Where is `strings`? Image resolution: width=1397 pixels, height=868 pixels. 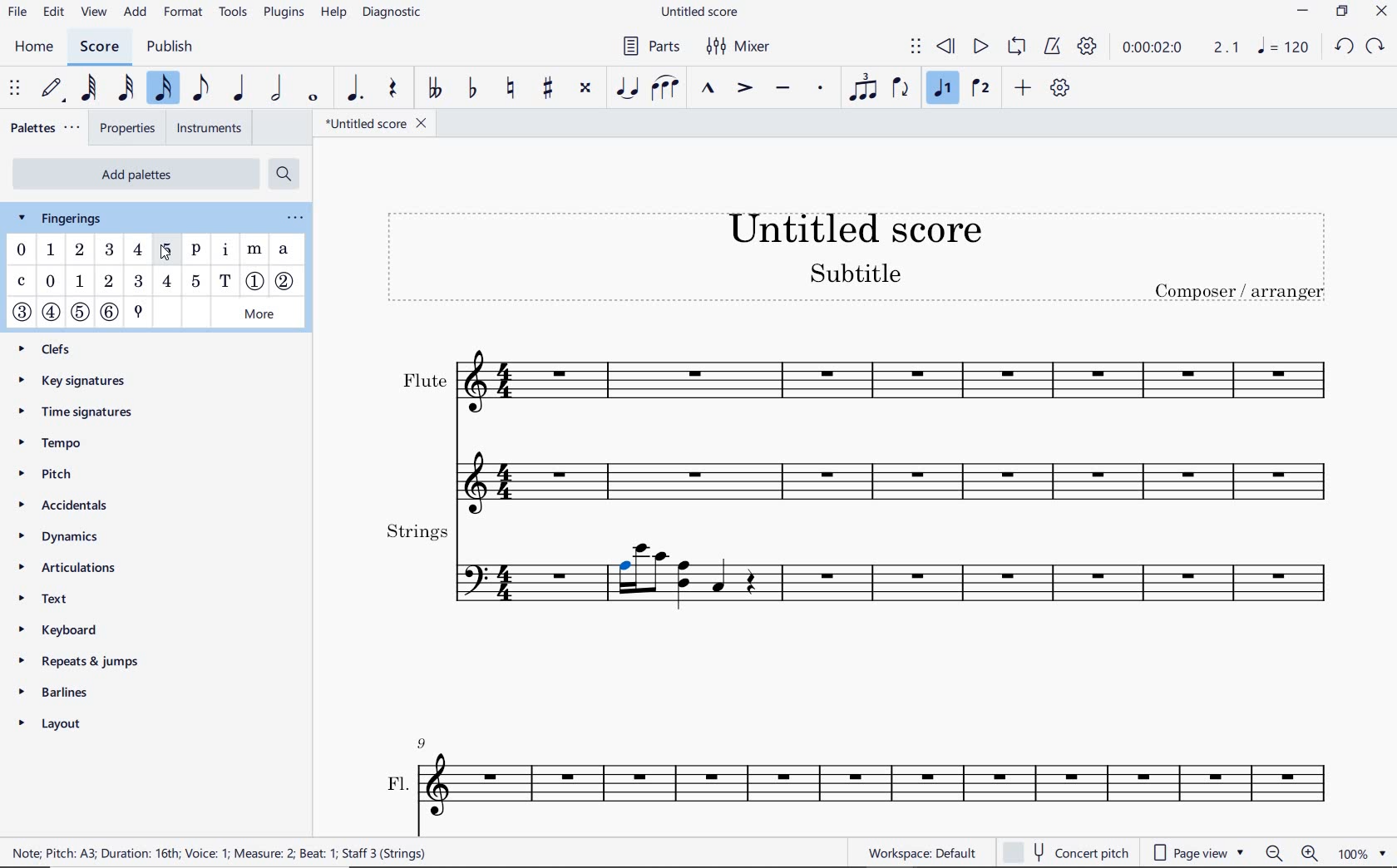 strings is located at coordinates (858, 565).